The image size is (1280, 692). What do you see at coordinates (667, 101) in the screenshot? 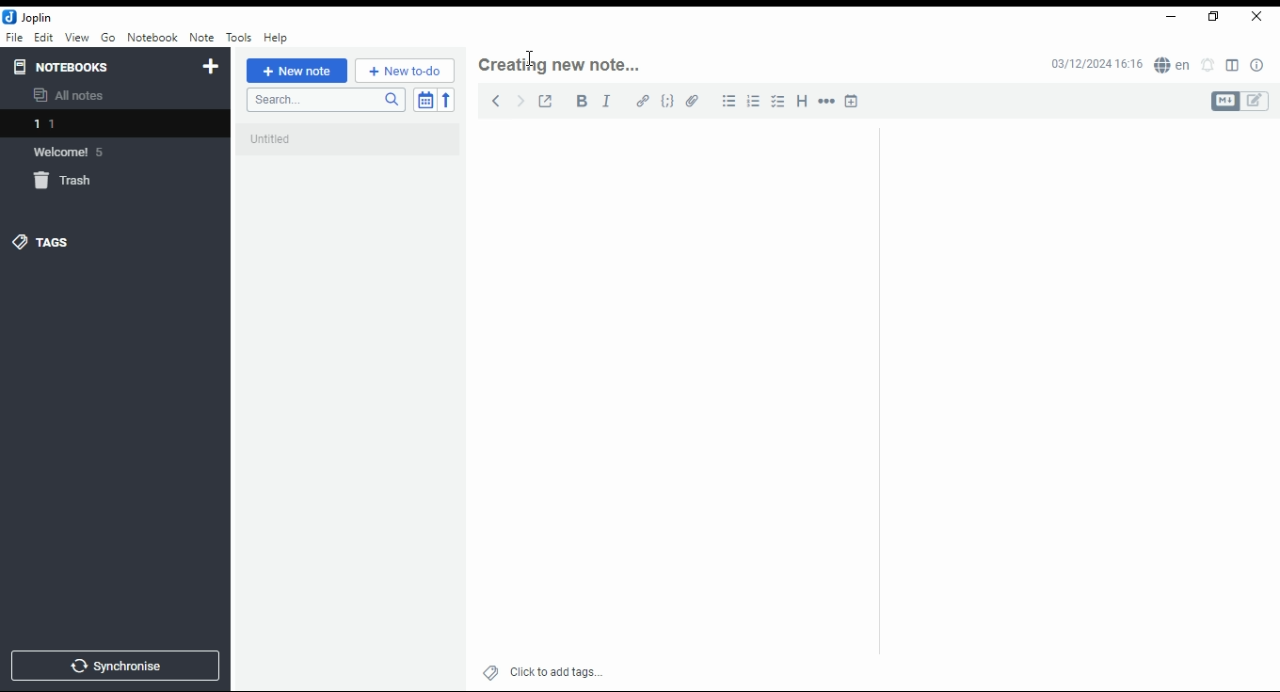
I see `code` at bounding box center [667, 101].